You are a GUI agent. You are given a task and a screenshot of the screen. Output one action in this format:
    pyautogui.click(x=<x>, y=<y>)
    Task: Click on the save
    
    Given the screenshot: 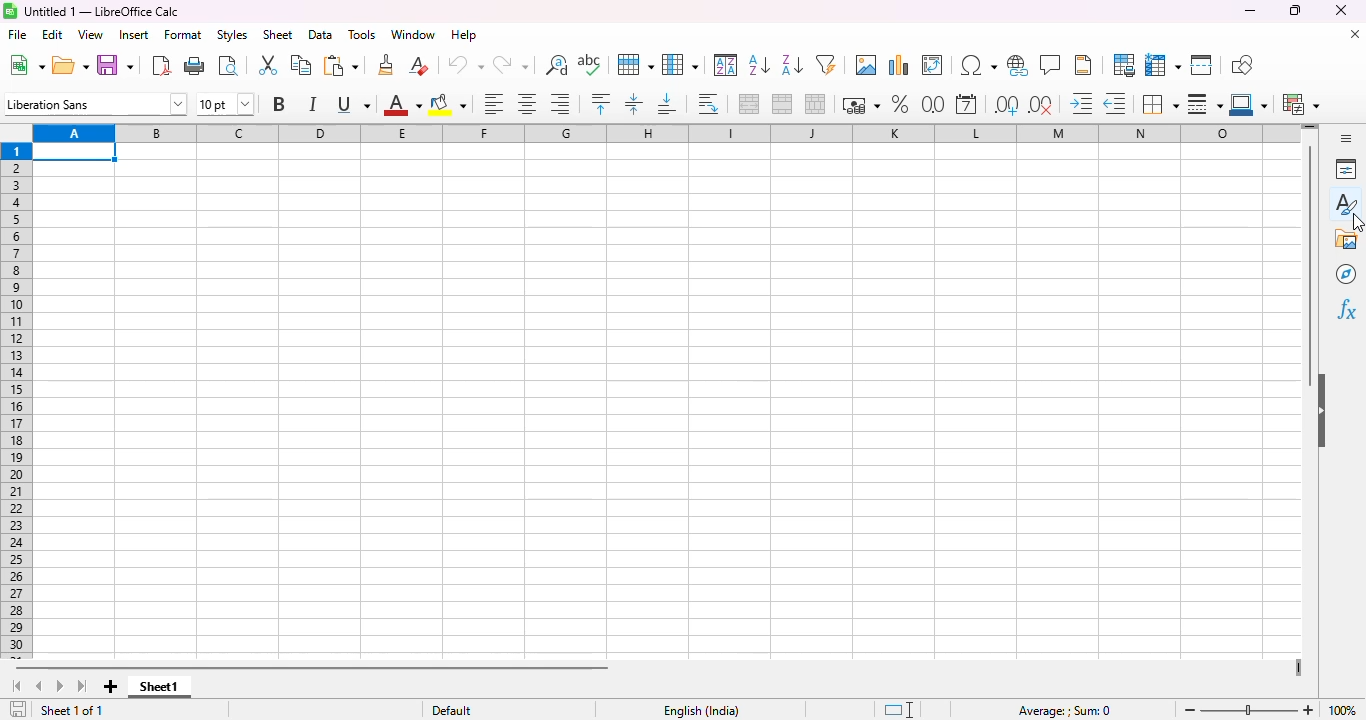 What is the action you would take?
    pyautogui.click(x=115, y=65)
    